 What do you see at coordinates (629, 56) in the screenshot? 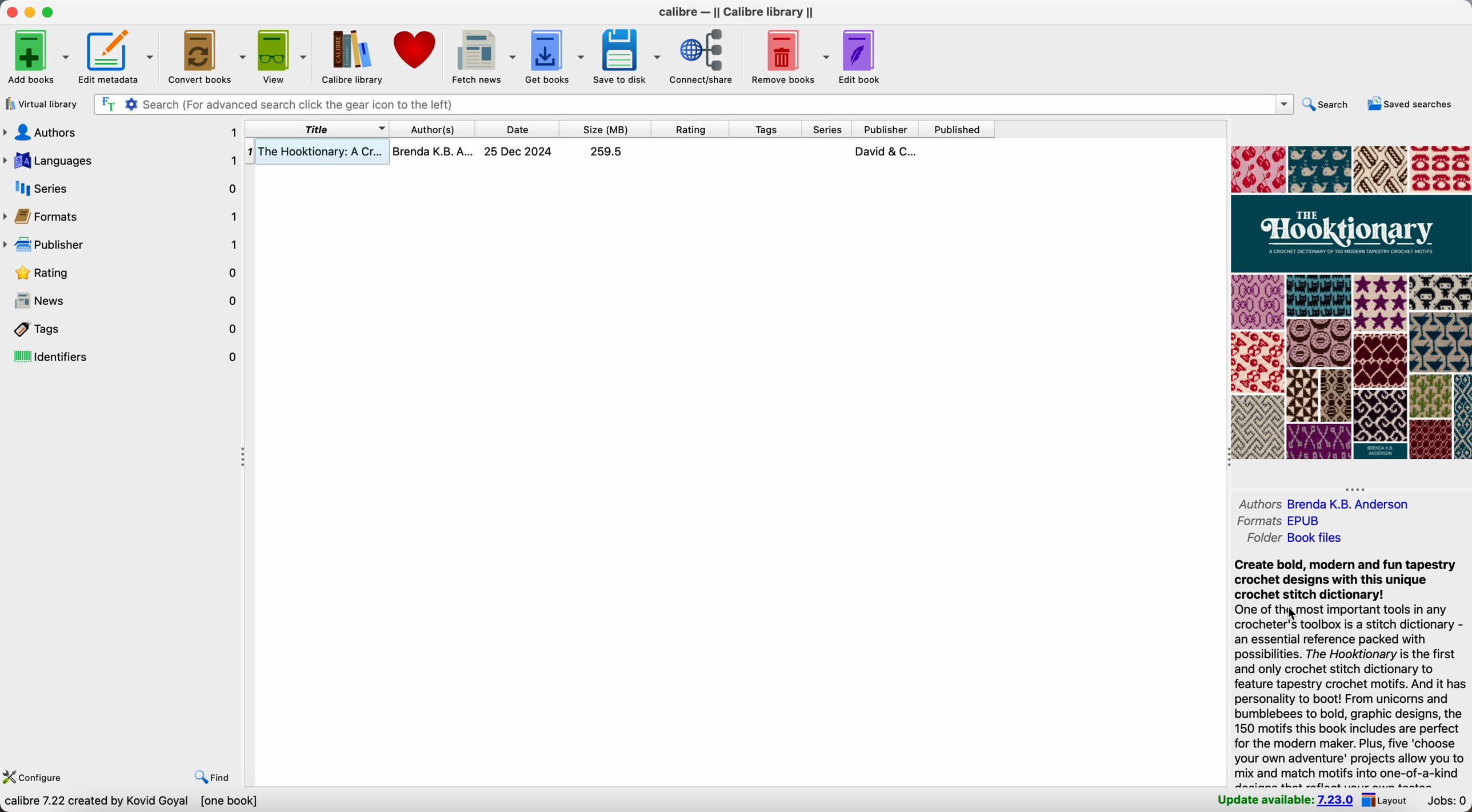
I see `save to disk` at bounding box center [629, 56].